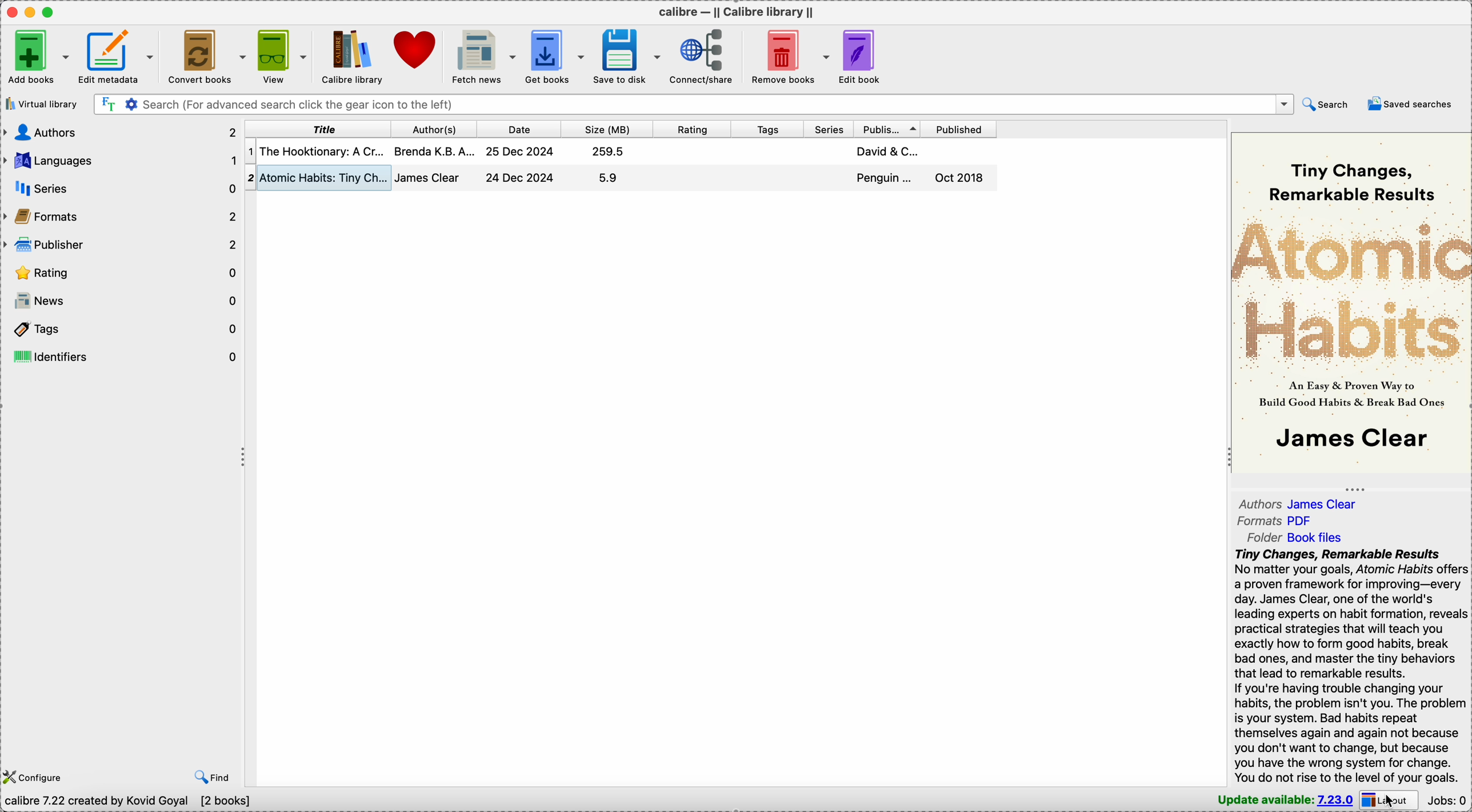  I want to click on series, so click(121, 189).